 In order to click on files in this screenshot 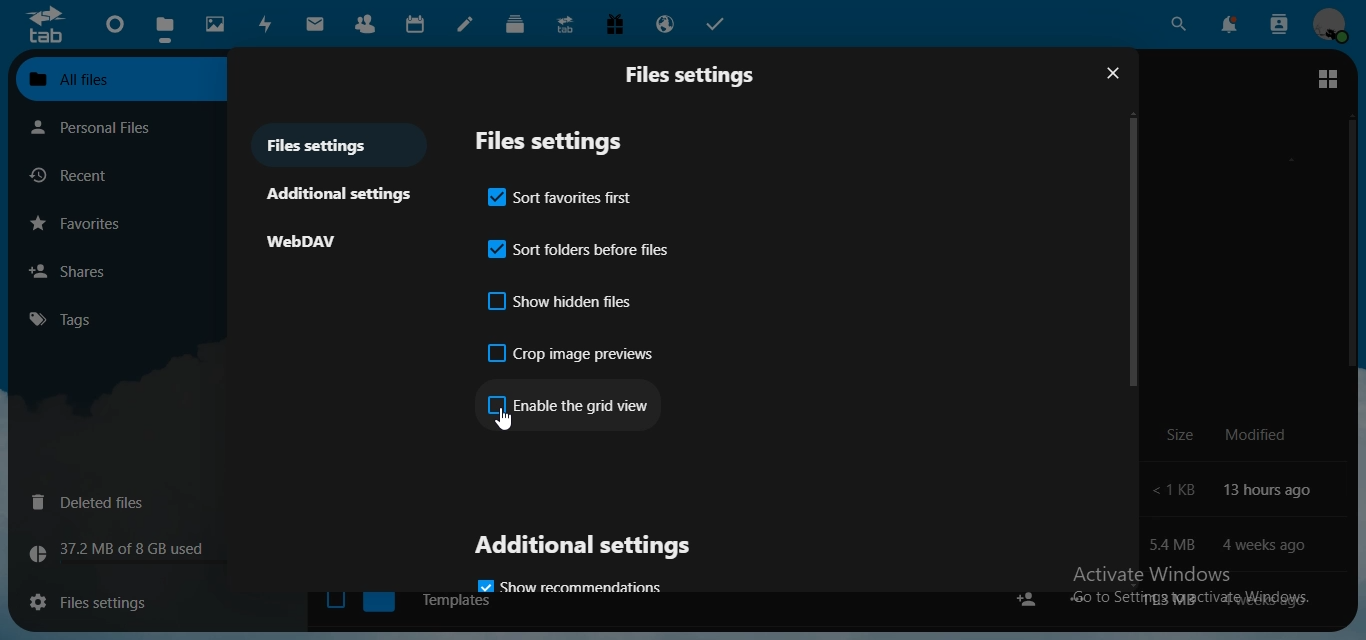, I will do `click(164, 28)`.